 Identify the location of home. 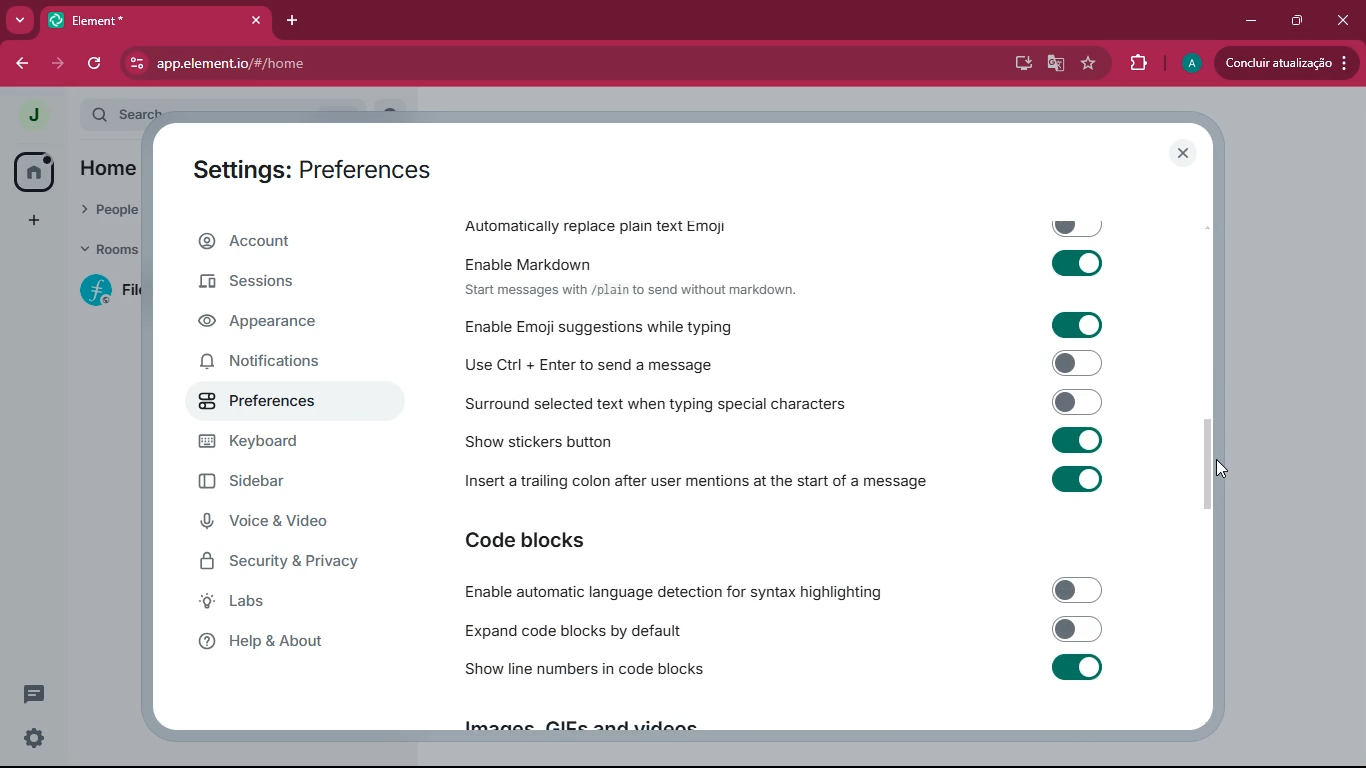
(33, 170).